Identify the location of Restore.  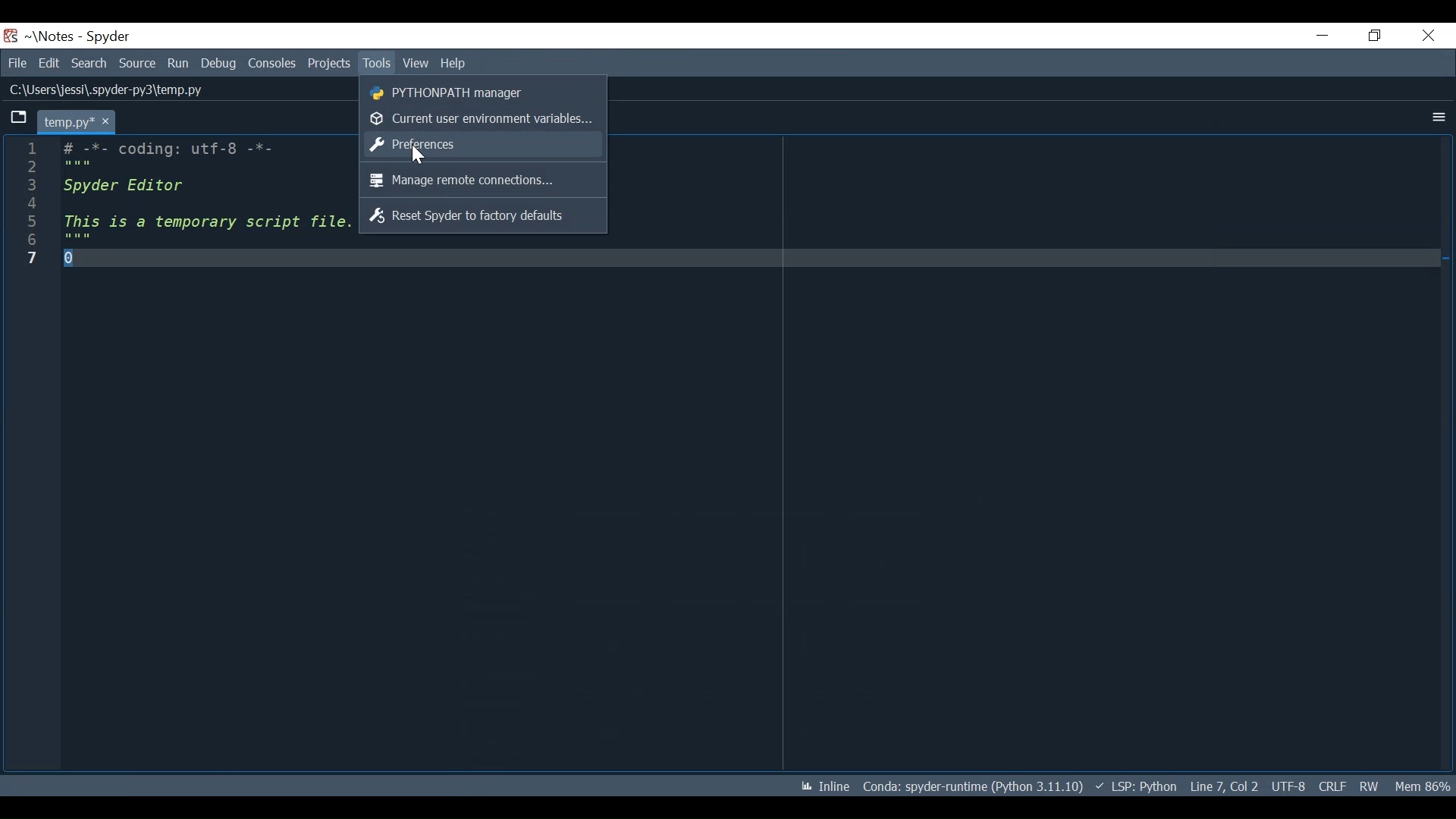
(1373, 35).